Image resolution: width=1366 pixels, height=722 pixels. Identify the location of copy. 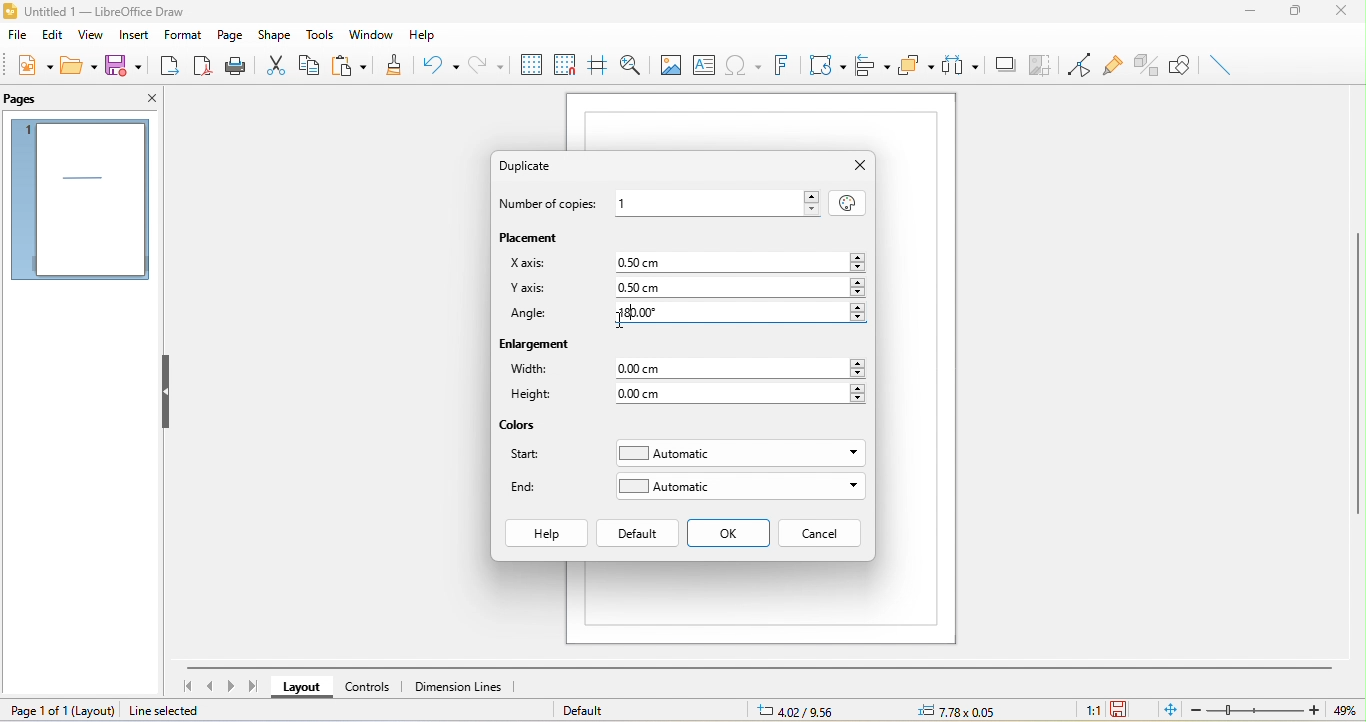
(316, 68).